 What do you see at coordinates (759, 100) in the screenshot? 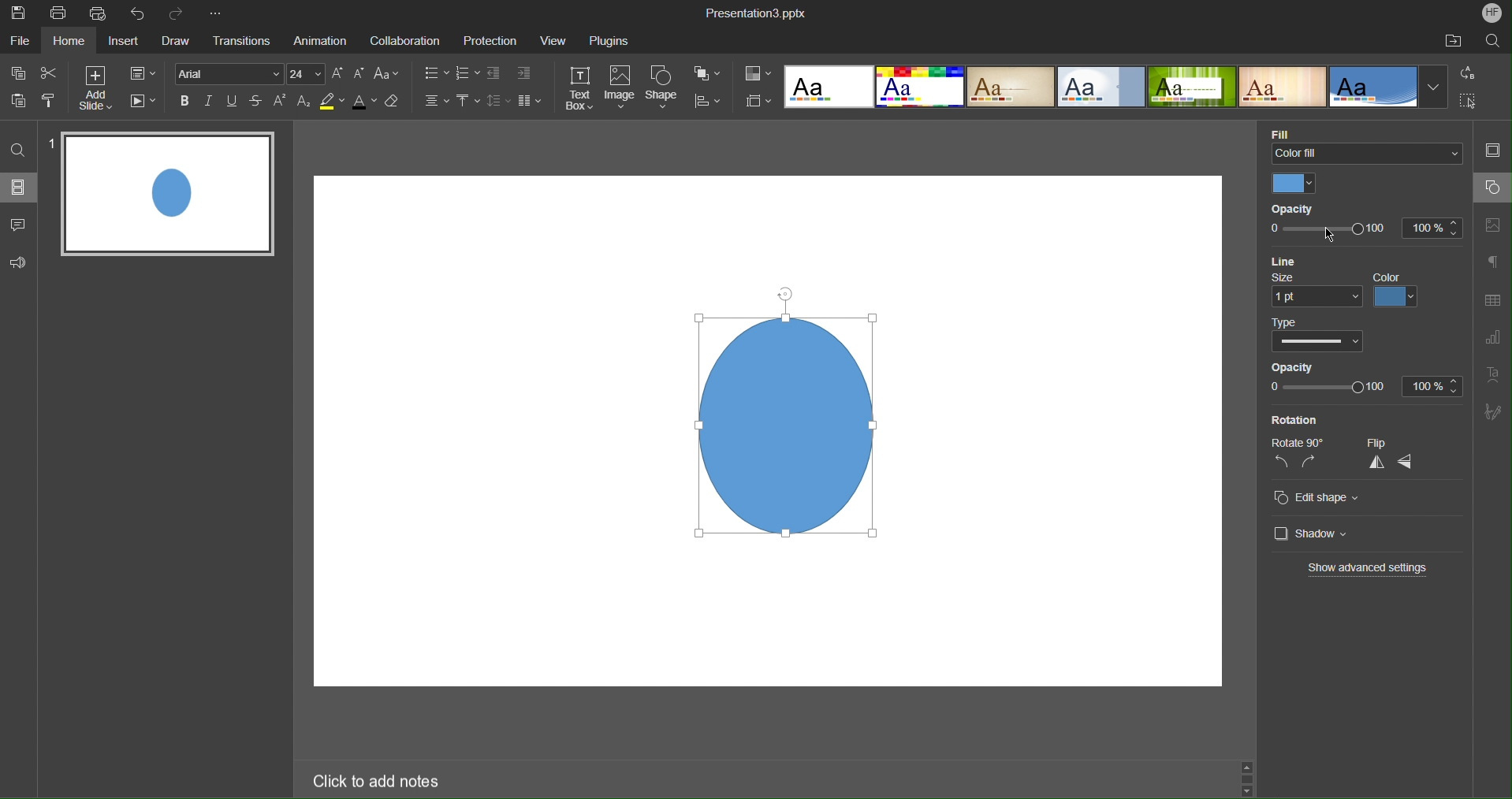
I see `Slide Size` at bounding box center [759, 100].